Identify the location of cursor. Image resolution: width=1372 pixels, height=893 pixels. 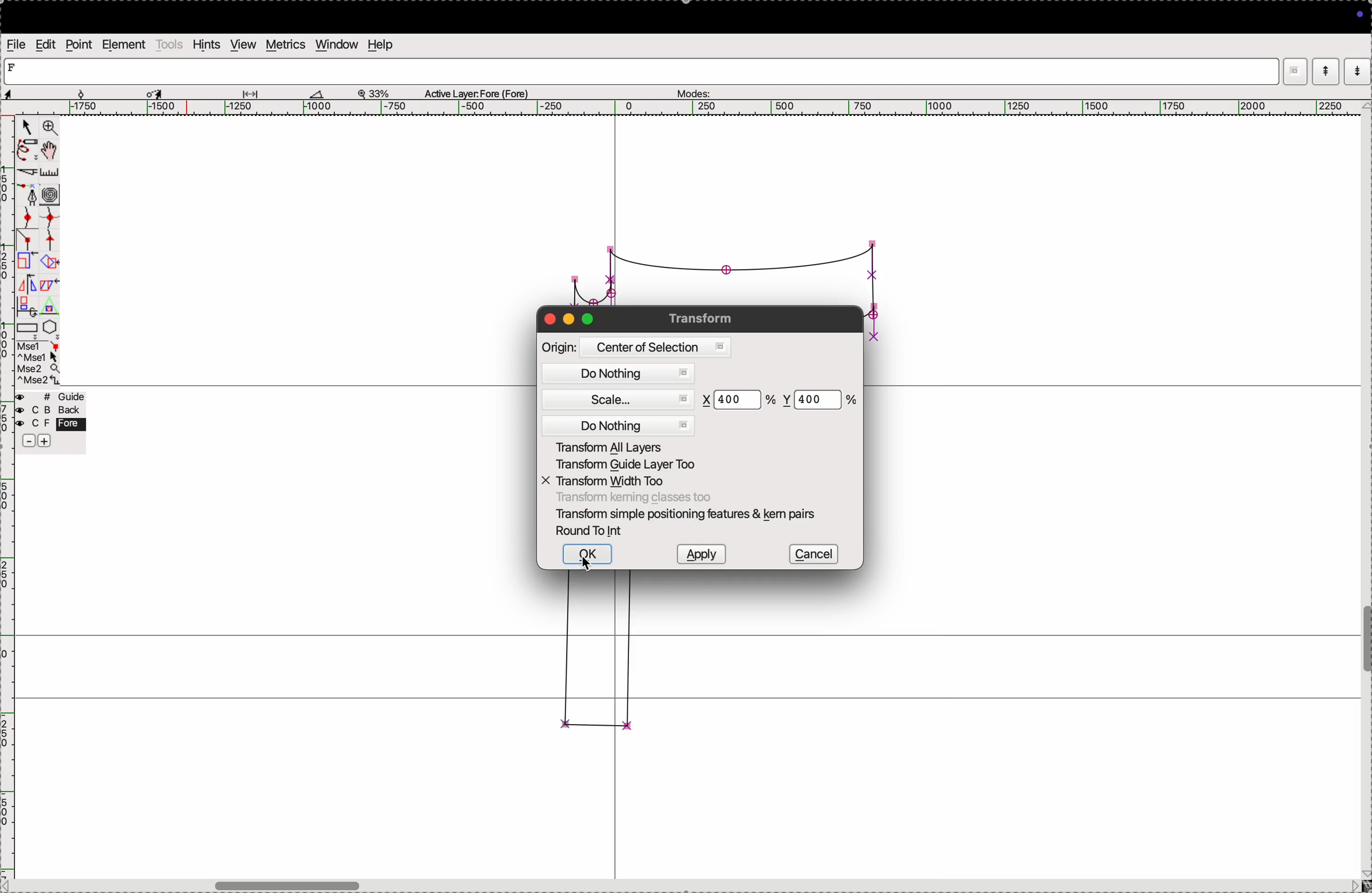
(25, 128).